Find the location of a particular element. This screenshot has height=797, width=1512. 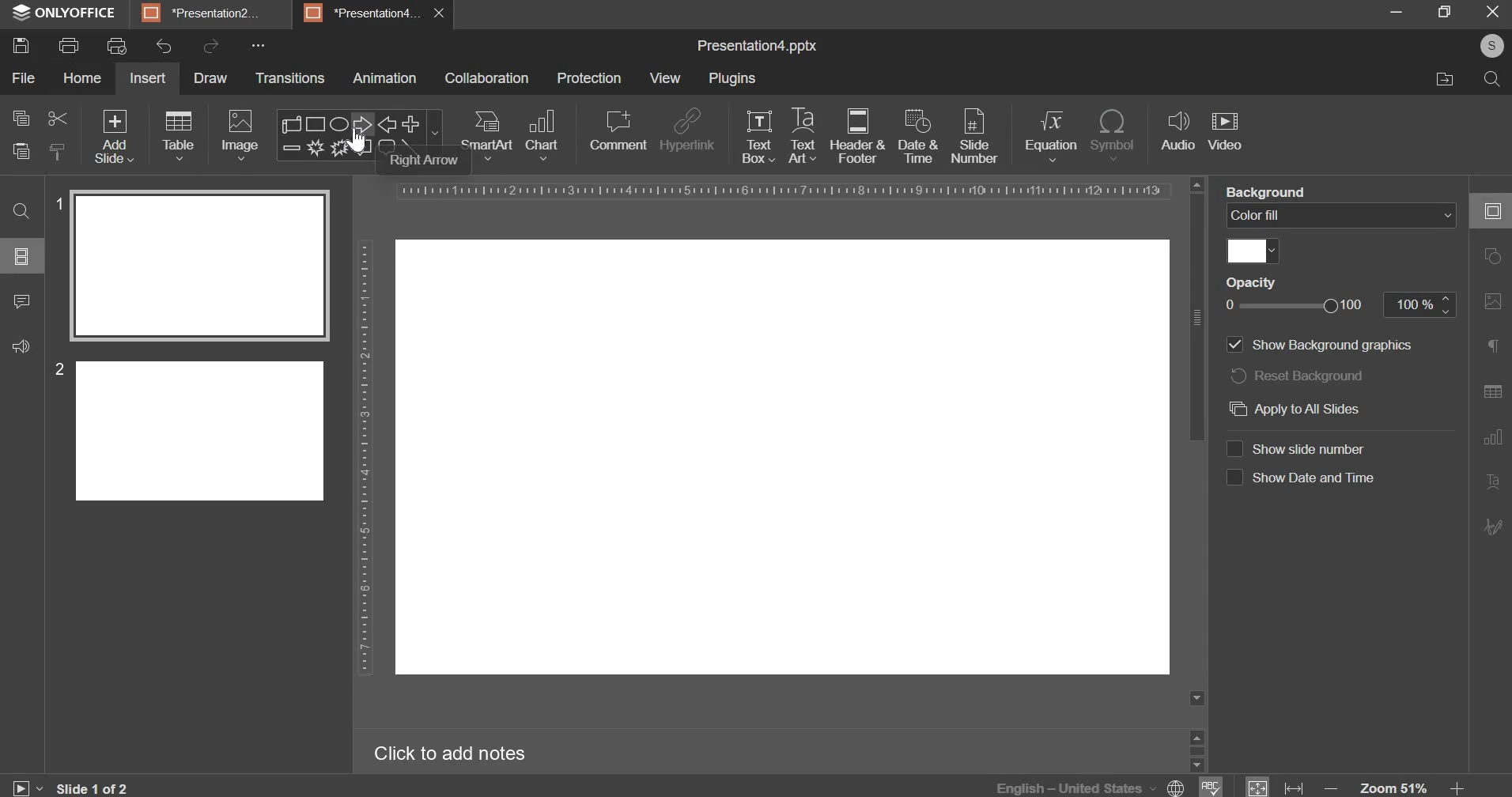

symbol is located at coordinates (1114, 133).